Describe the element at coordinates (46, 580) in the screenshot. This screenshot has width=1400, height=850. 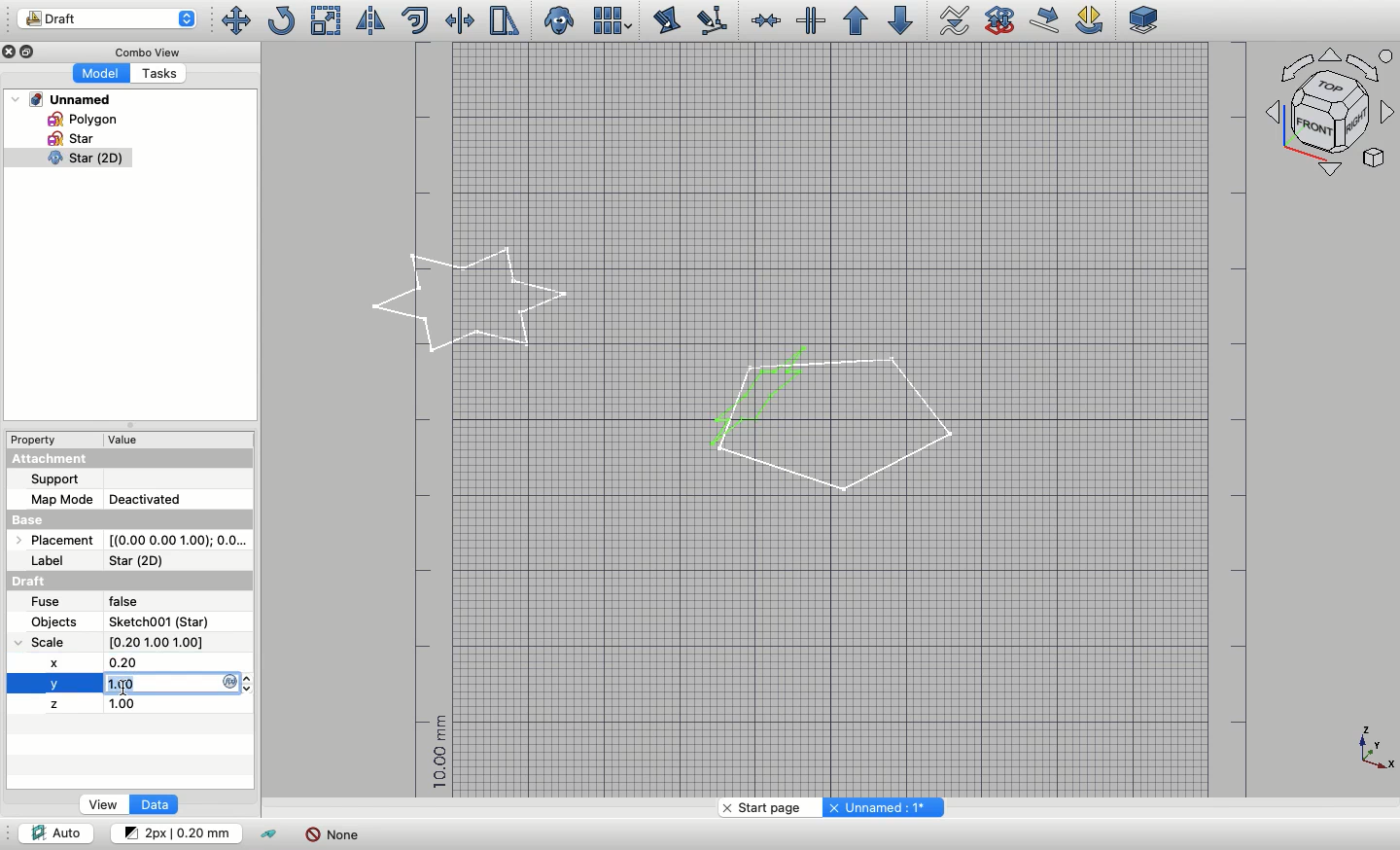
I see `Draft` at that location.